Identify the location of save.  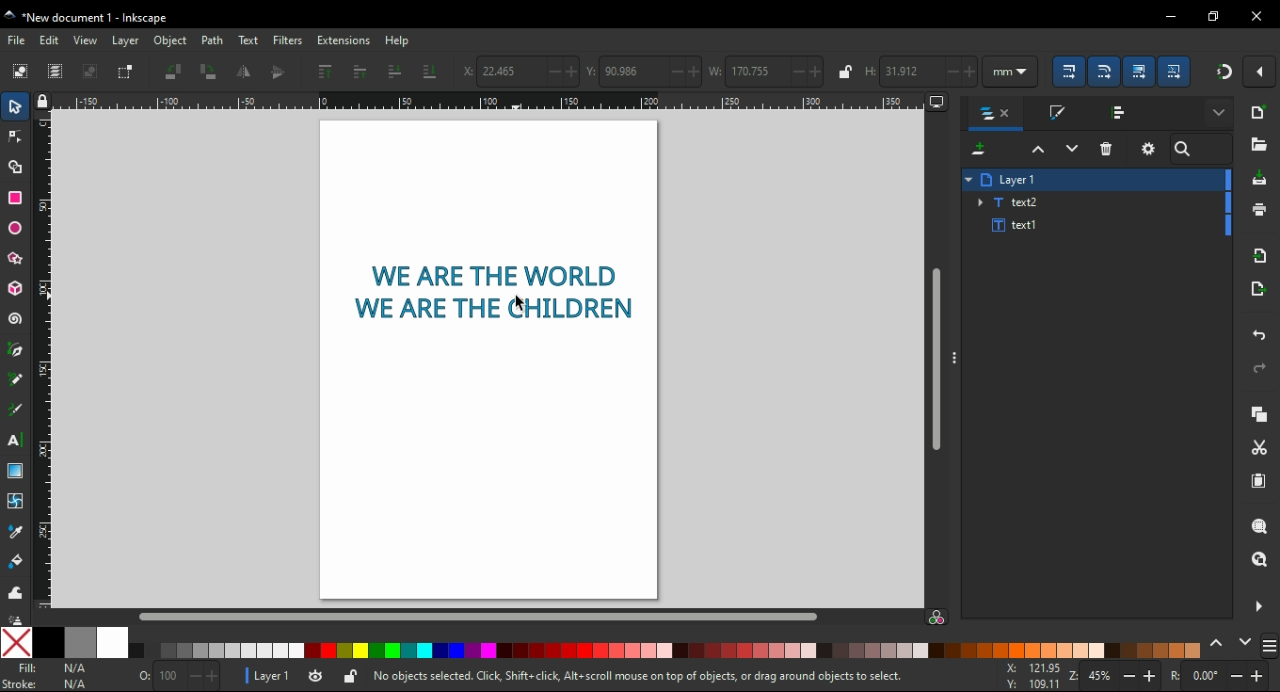
(1259, 180).